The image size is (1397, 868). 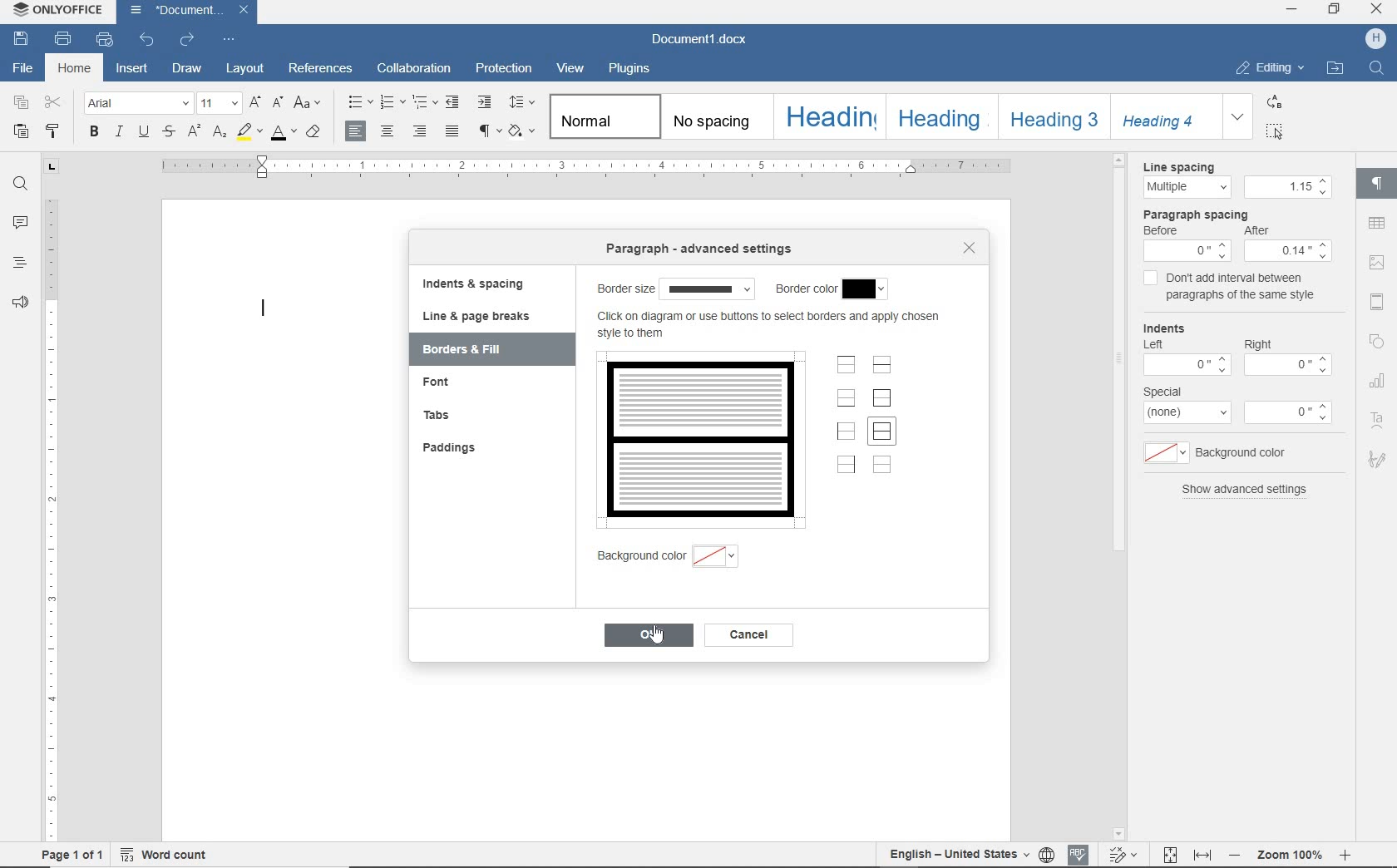 I want to click on paddings, so click(x=462, y=449).